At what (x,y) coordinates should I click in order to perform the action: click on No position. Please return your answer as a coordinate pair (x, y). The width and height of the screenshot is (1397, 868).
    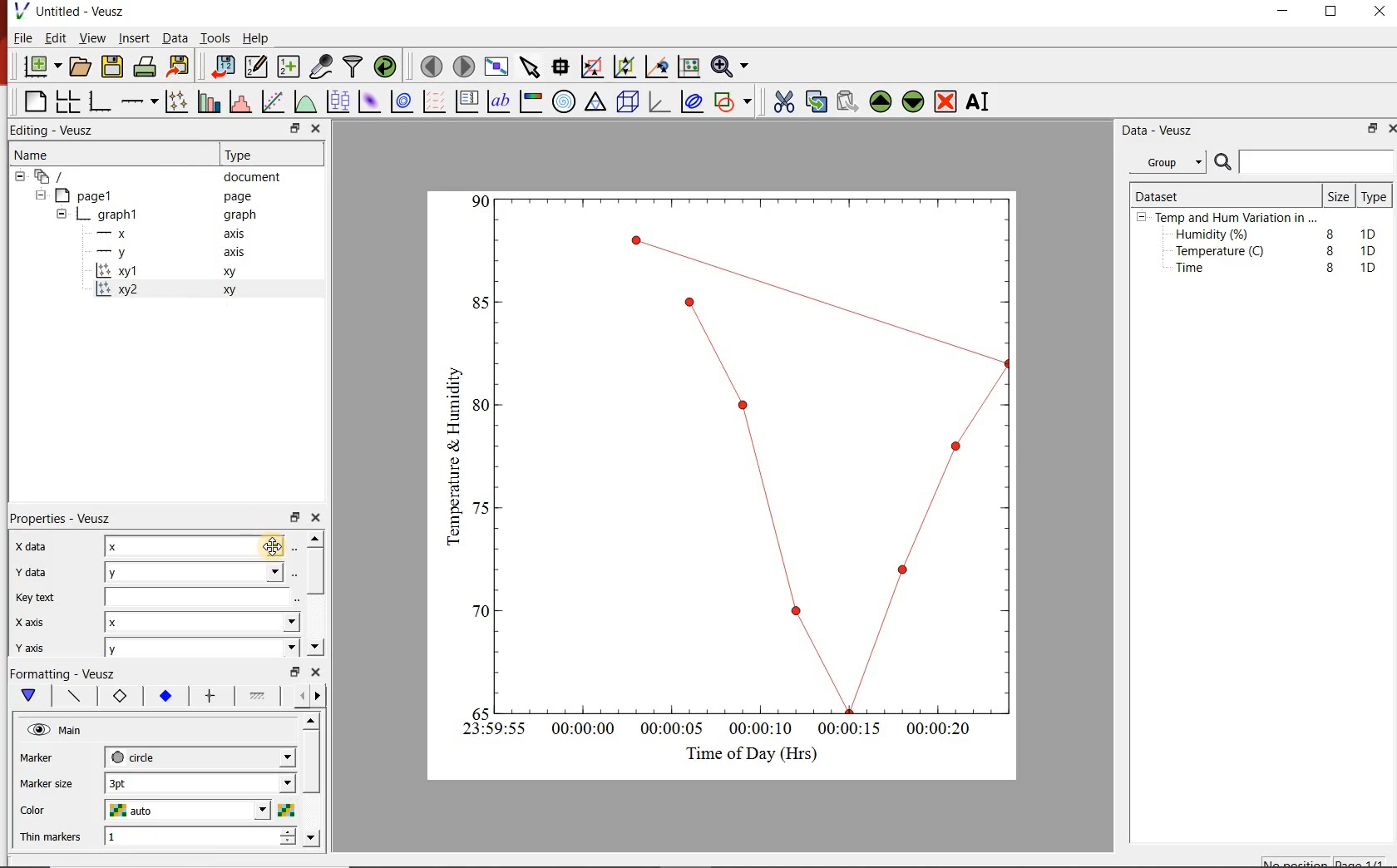
    Looking at the image, I should click on (1296, 862).